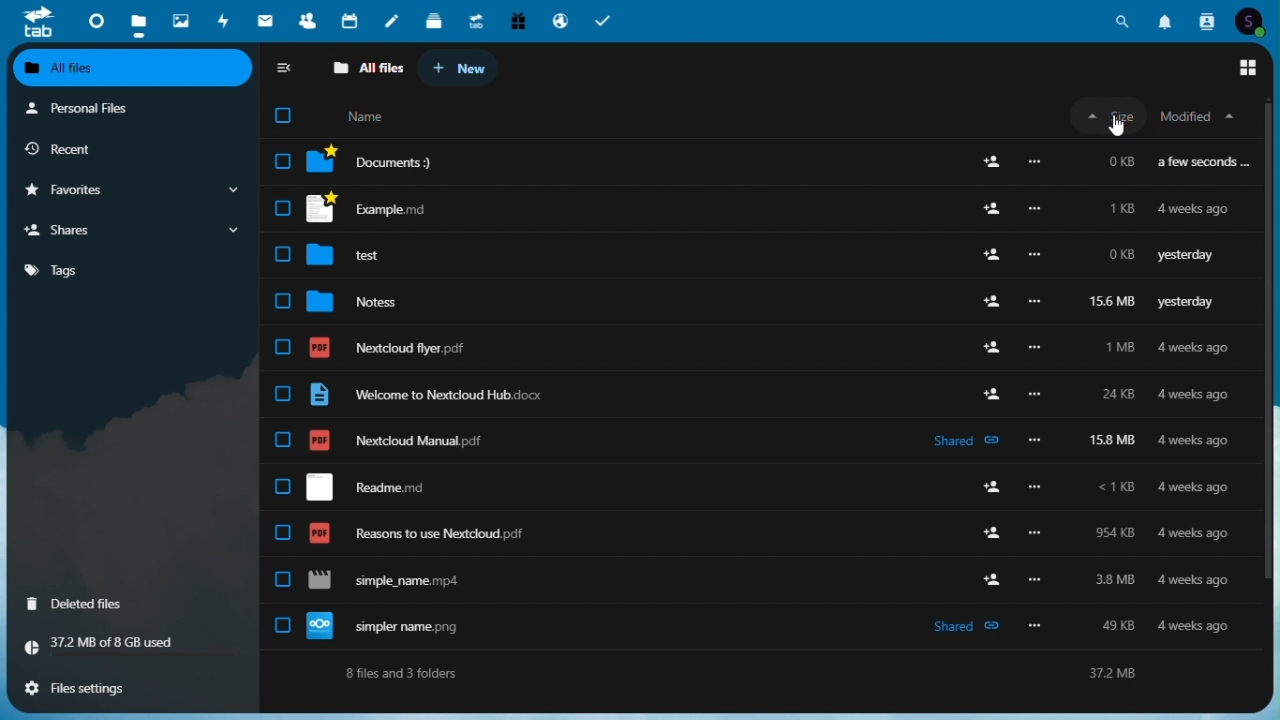 Image resolution: width=1280 pixels, height=720 pixels. What do you see at coordinates (477, 18) in the screenshot?
I see `upgrade` at bounding box center [477, 18].